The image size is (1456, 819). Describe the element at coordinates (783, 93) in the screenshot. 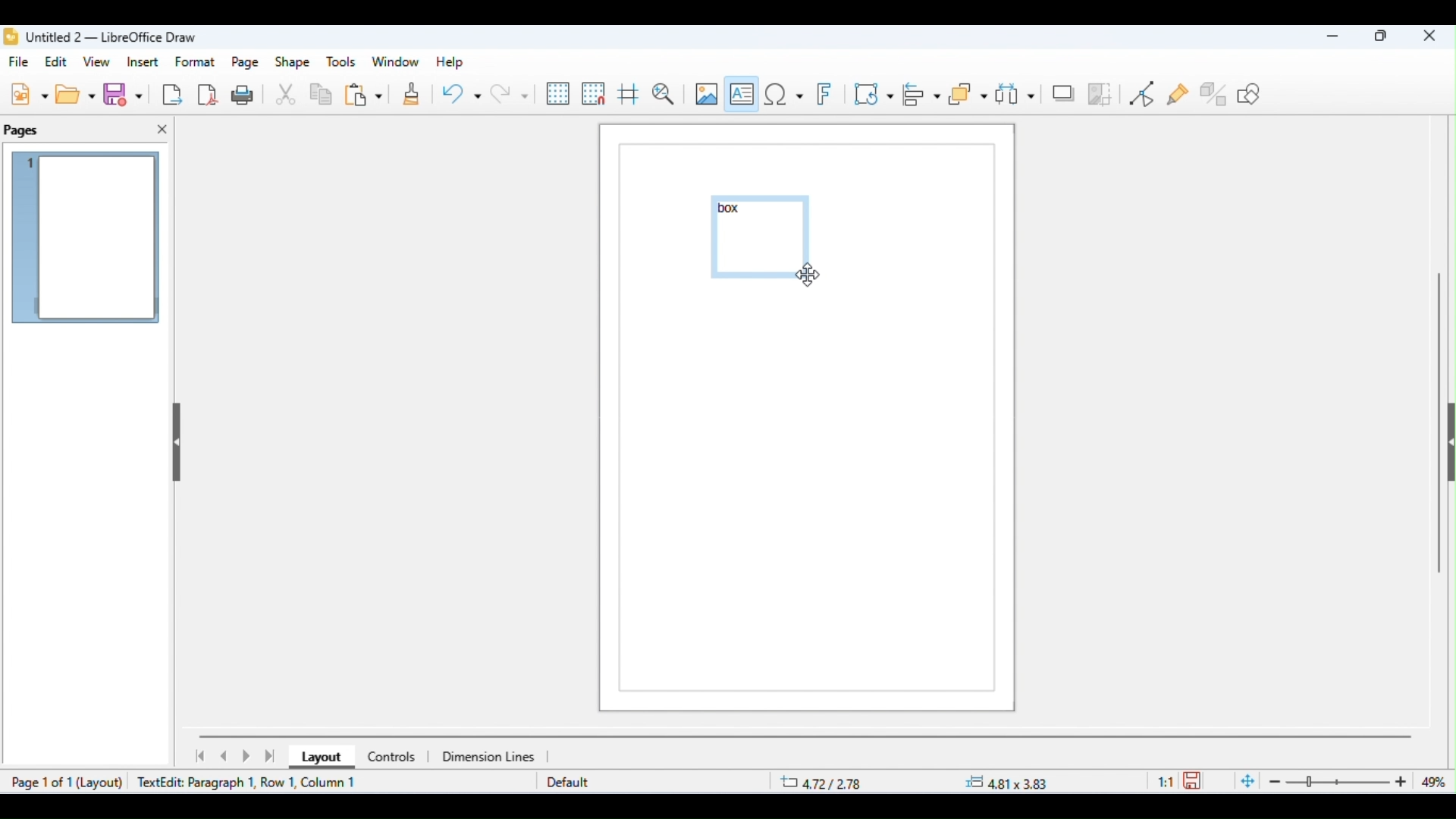

I see `insert special characters` at that location.